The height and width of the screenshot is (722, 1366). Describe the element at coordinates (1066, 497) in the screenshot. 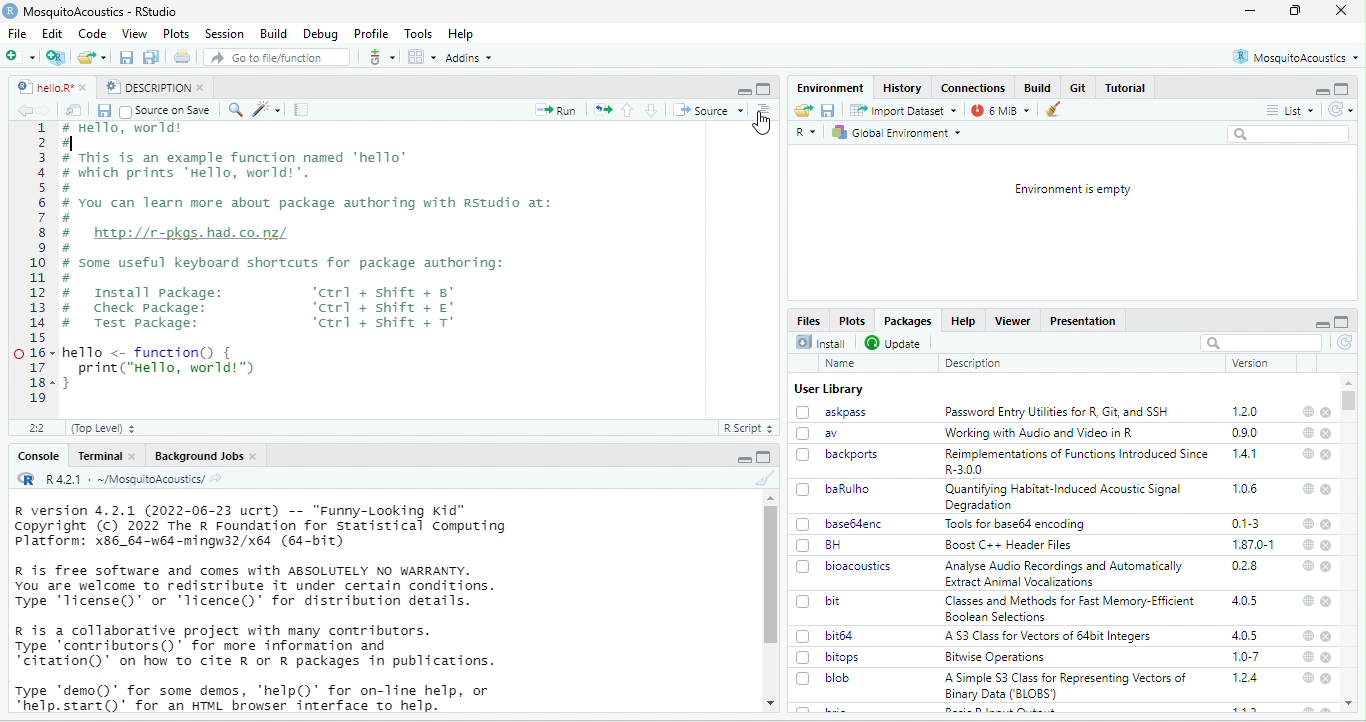

I see `‘Quantifying Habitat-Induced Acoustic Signal Degradation` at that location.